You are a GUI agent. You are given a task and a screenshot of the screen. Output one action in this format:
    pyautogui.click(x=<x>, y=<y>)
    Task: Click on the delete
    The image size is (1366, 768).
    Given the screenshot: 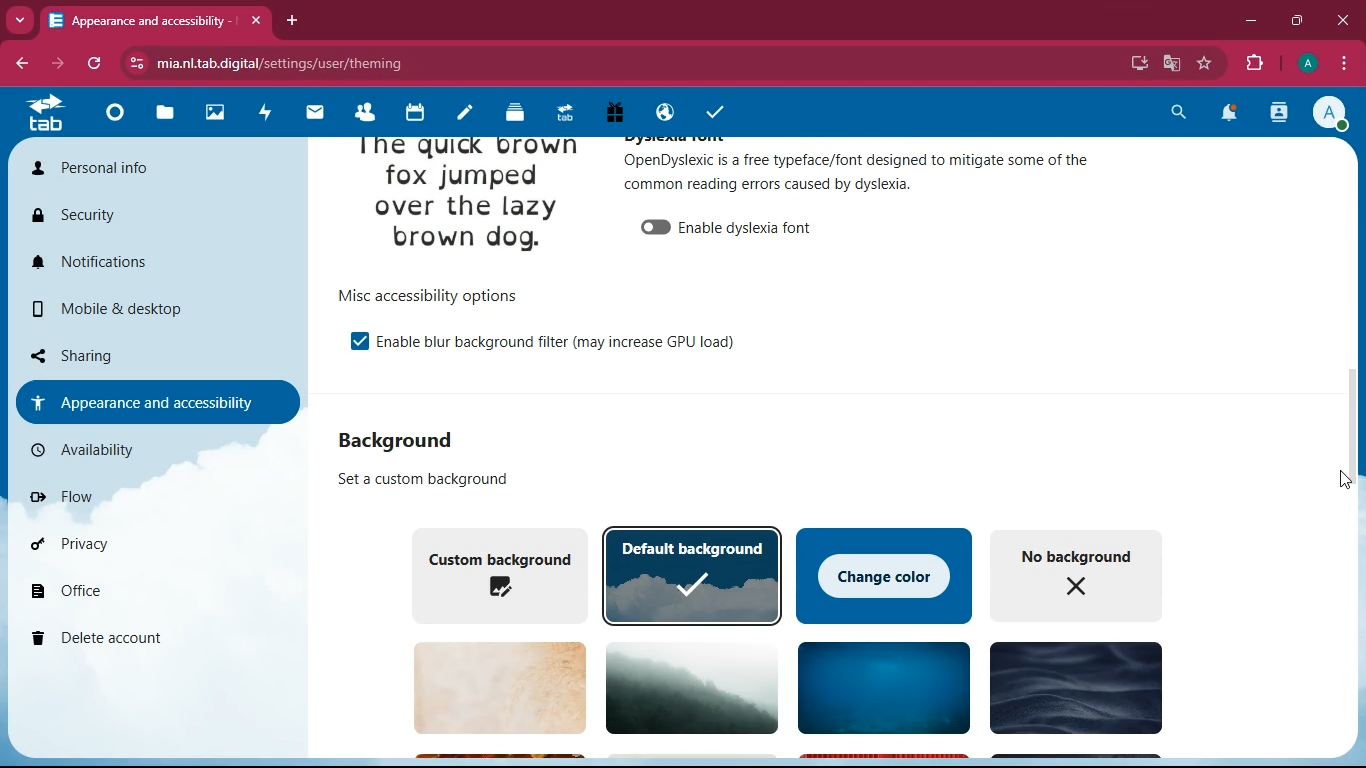 What is the action you would take?
    pyautogui.click(x=145, y=639)
    